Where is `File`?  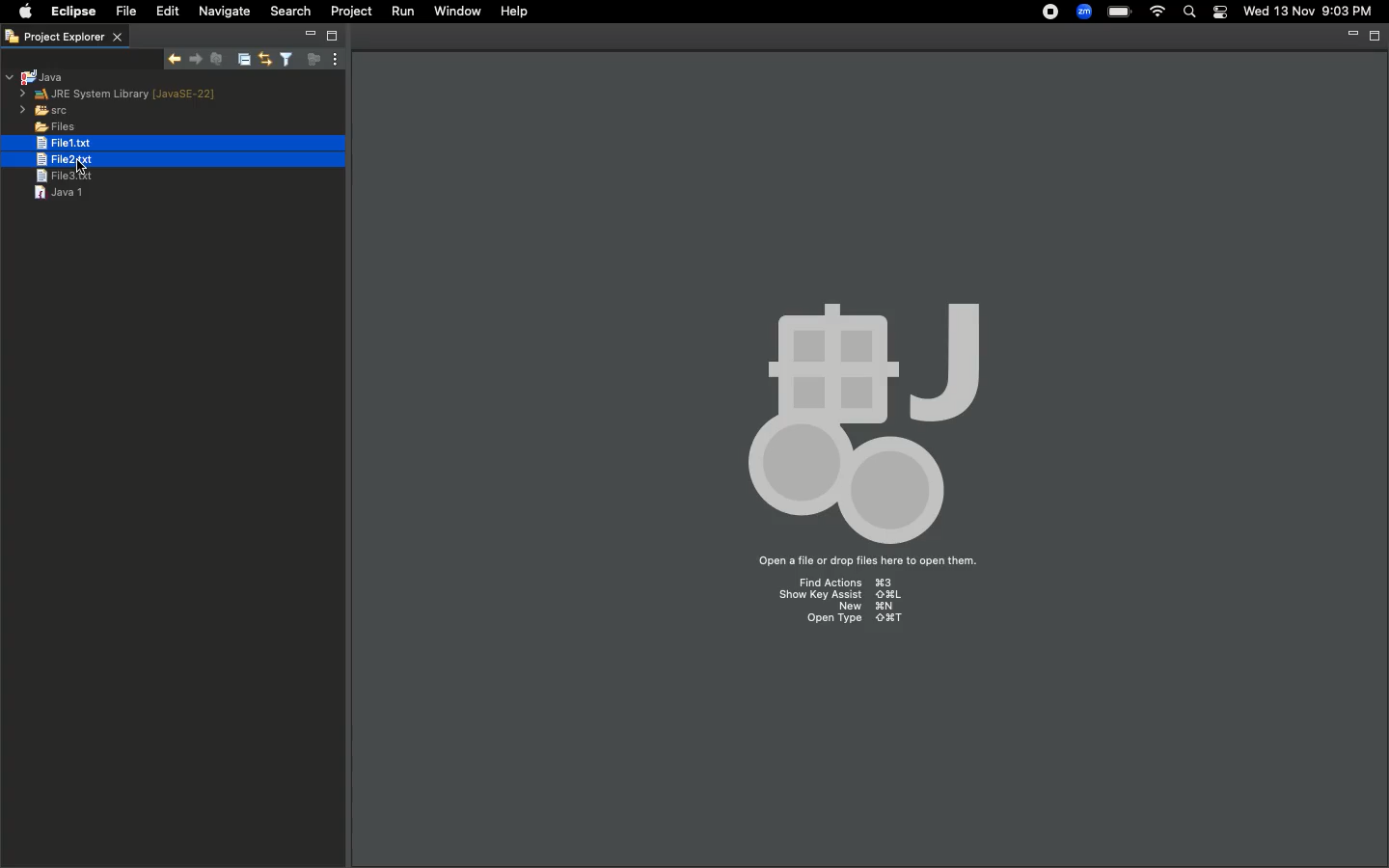 File is located at coordinates (124, 12).